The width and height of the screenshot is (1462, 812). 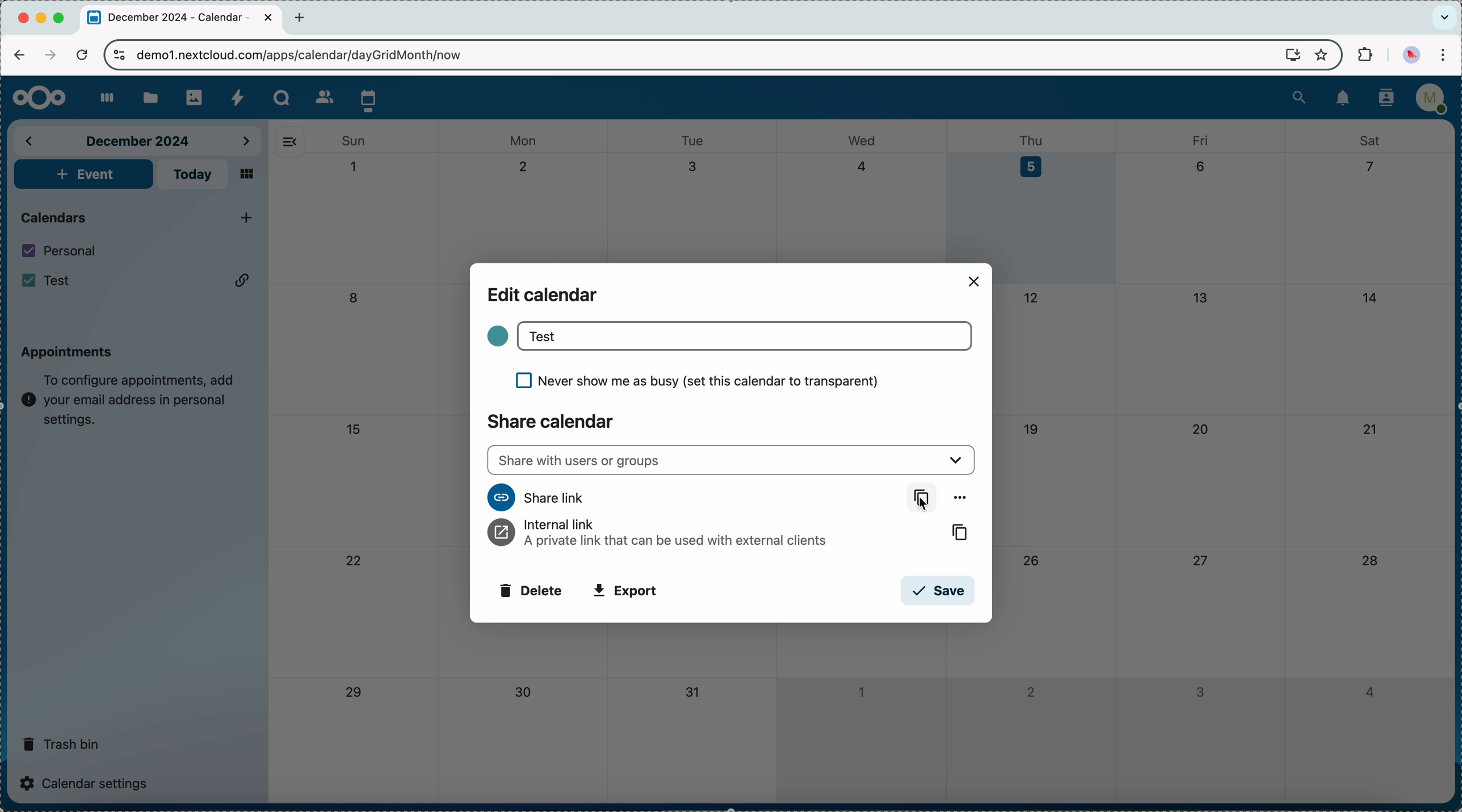 What do you see at coordinates (246, 218) in the screenshot?
I see `click on add new calendar` at bounding box center [246, 218].